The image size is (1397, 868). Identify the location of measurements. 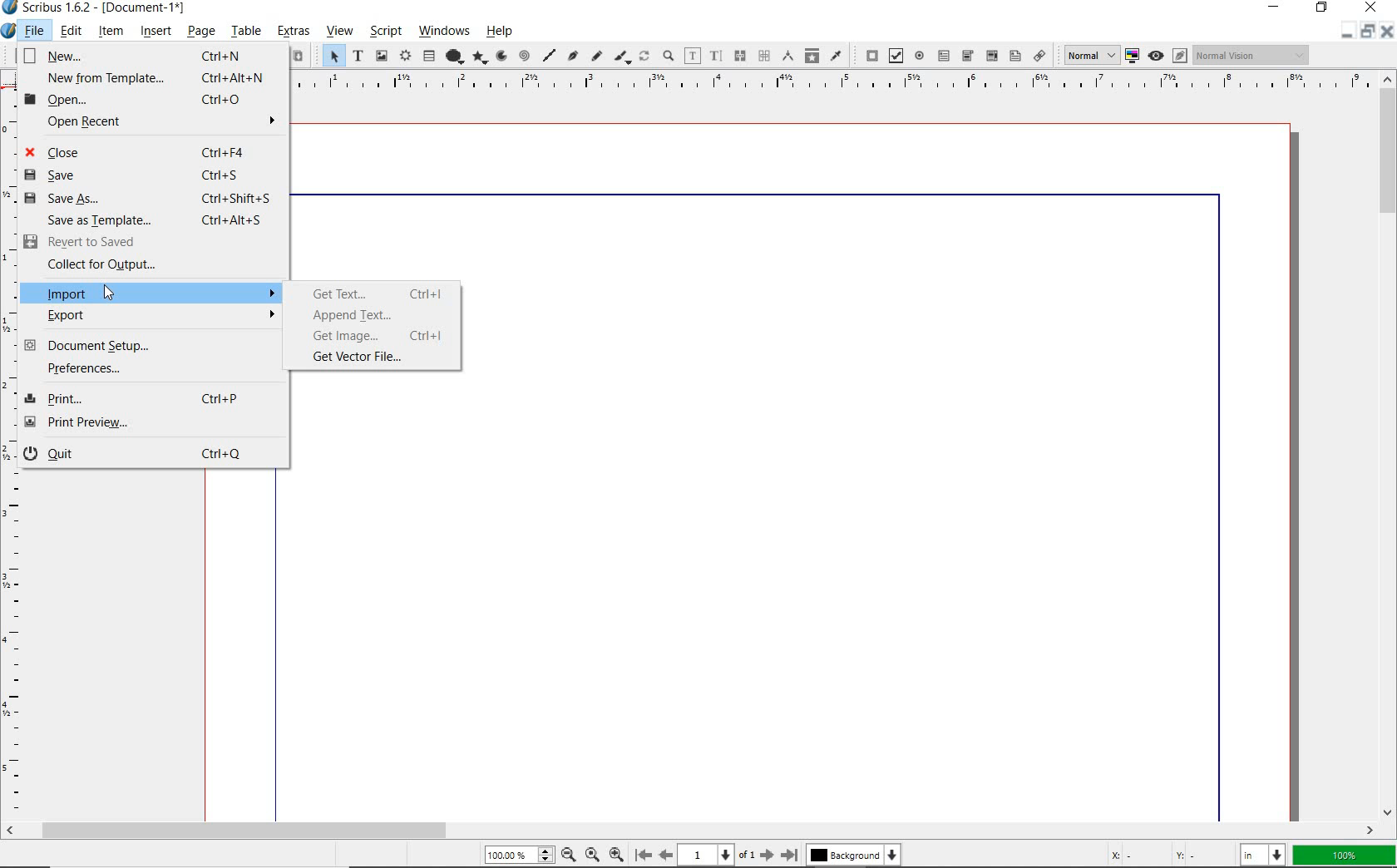
(789, 56).